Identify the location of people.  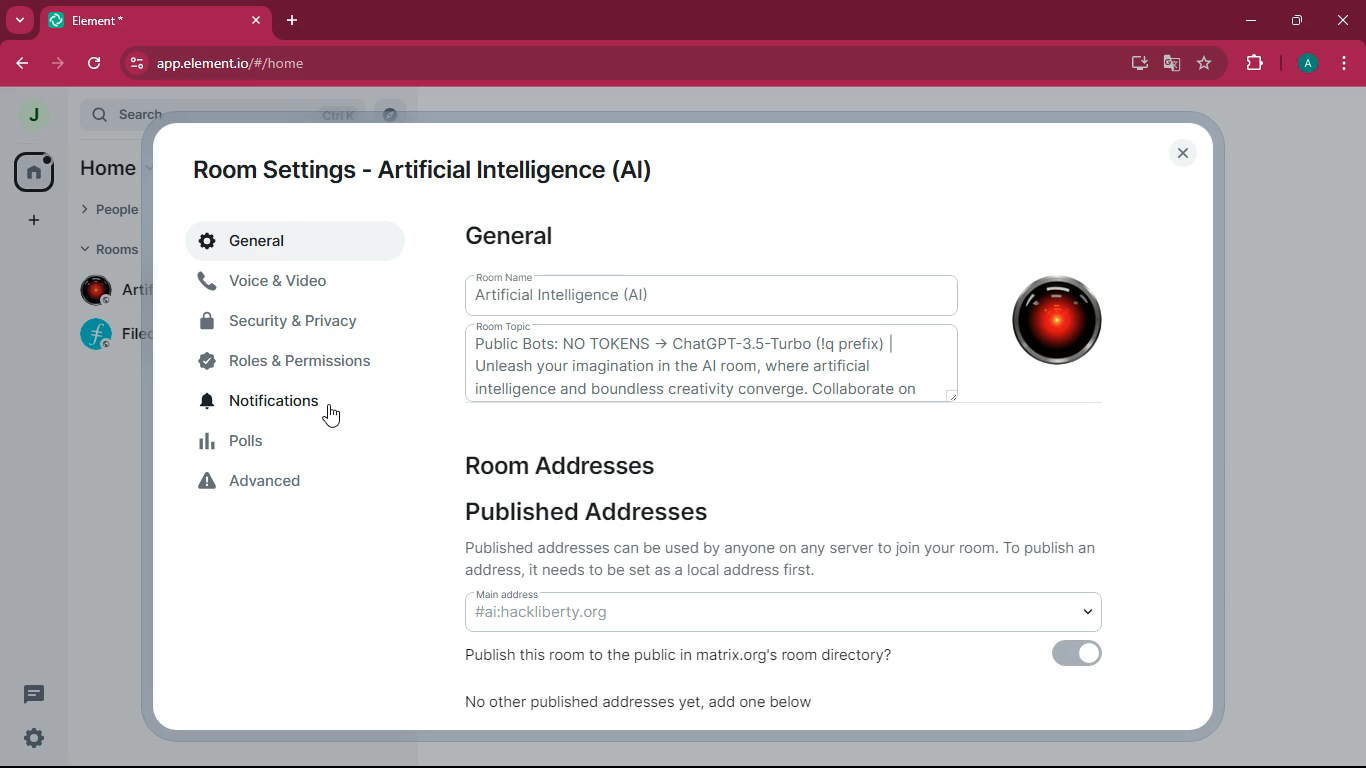
(108, 213).